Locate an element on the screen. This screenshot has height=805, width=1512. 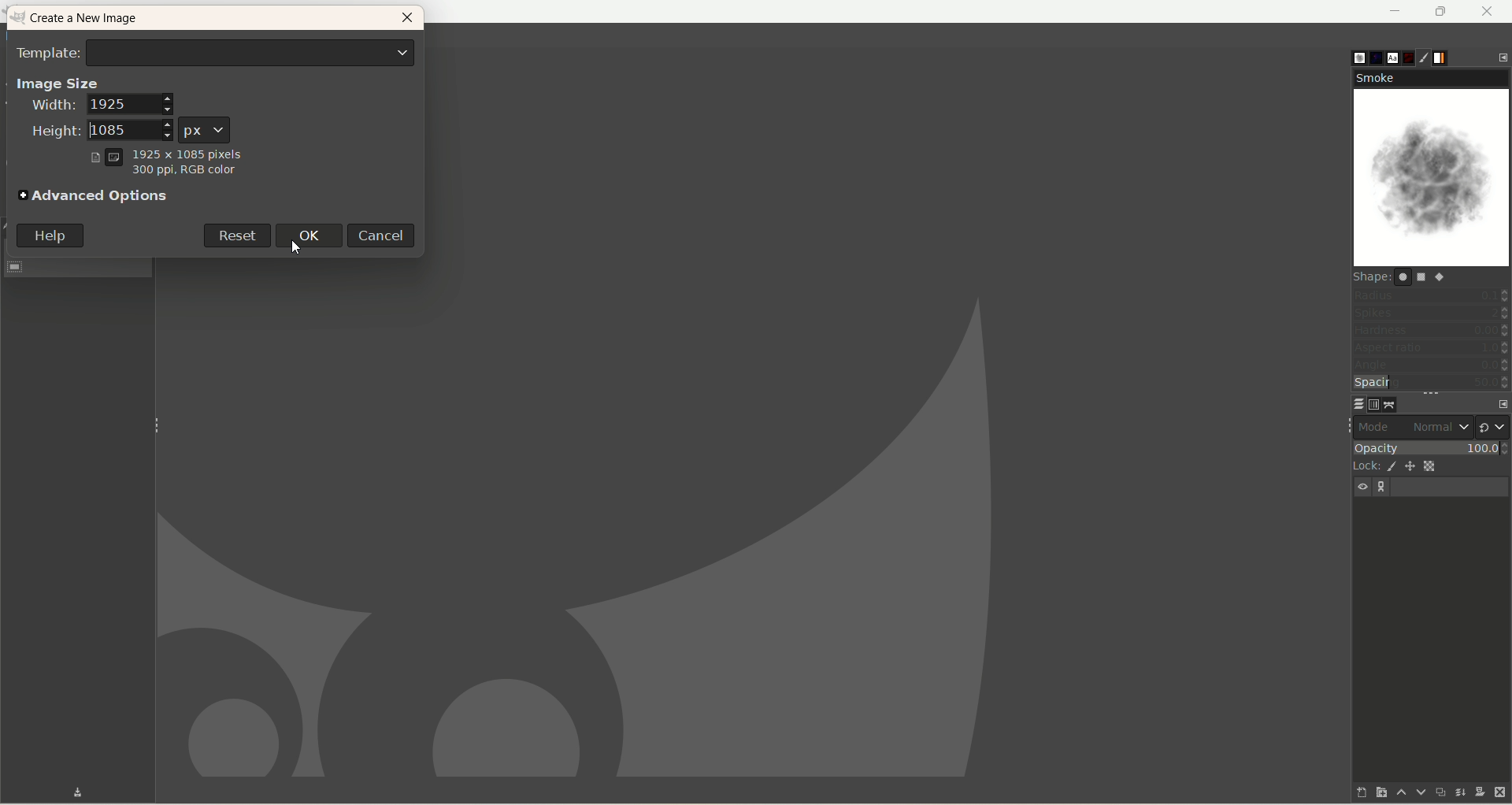
delete this layer is located at coordinates (1501, 793).